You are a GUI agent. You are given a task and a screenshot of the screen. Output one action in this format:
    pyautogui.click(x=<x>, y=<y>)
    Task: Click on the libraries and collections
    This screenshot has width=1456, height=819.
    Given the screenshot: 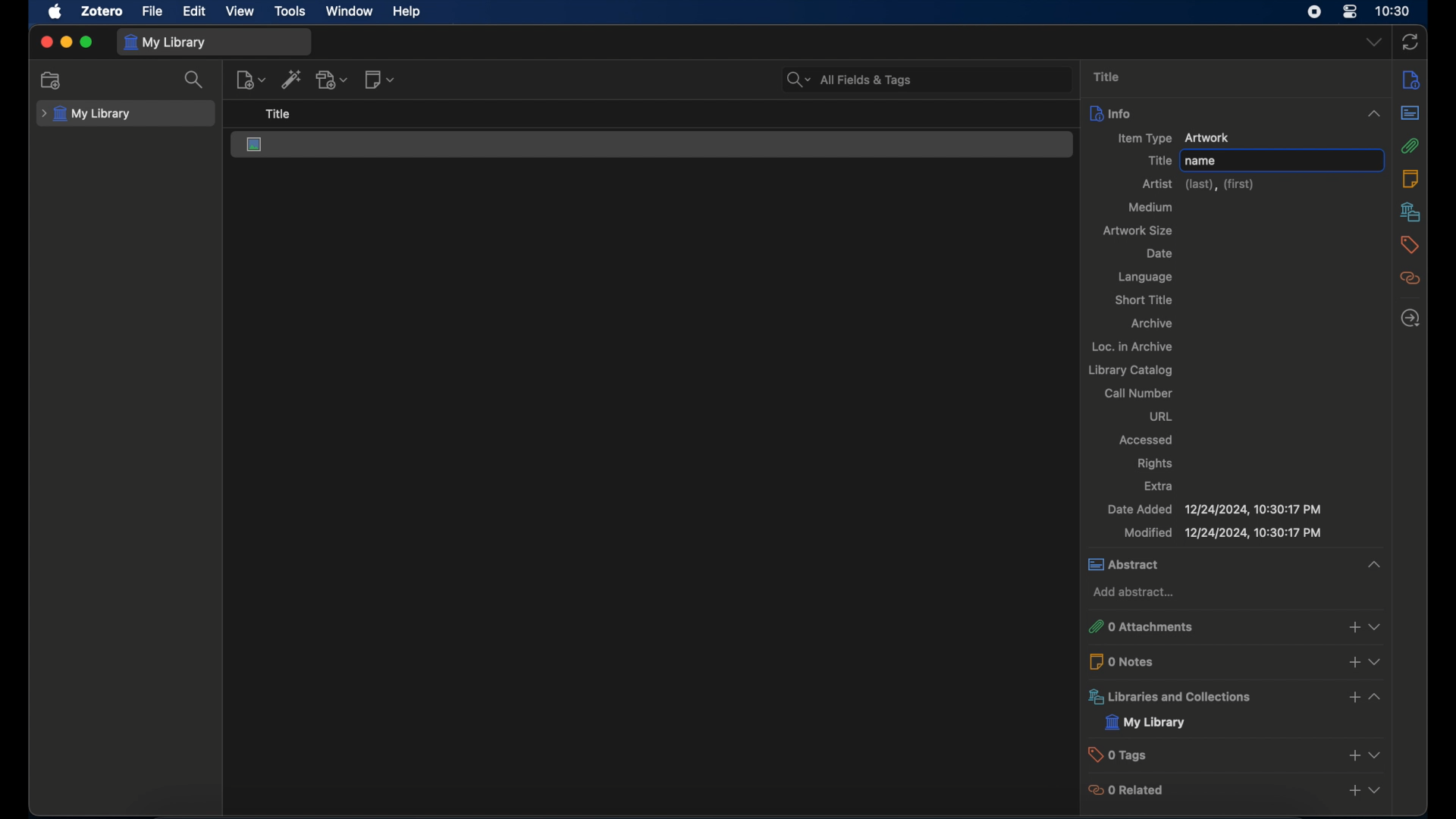 What is the action you would take?
    pyautogui.click(x=1175, y=696)
    